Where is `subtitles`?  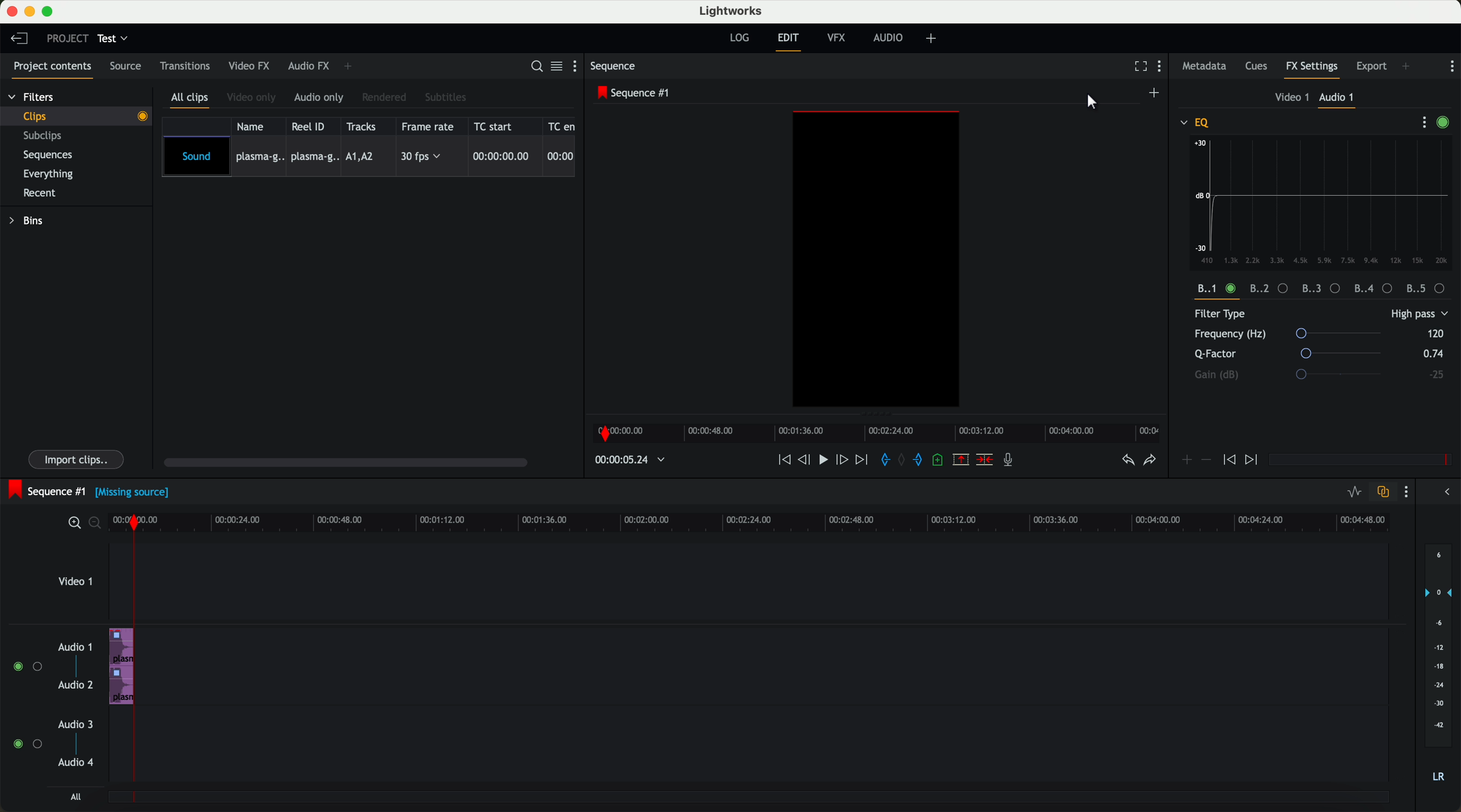
subtitles is located at coordinates (447, 97).